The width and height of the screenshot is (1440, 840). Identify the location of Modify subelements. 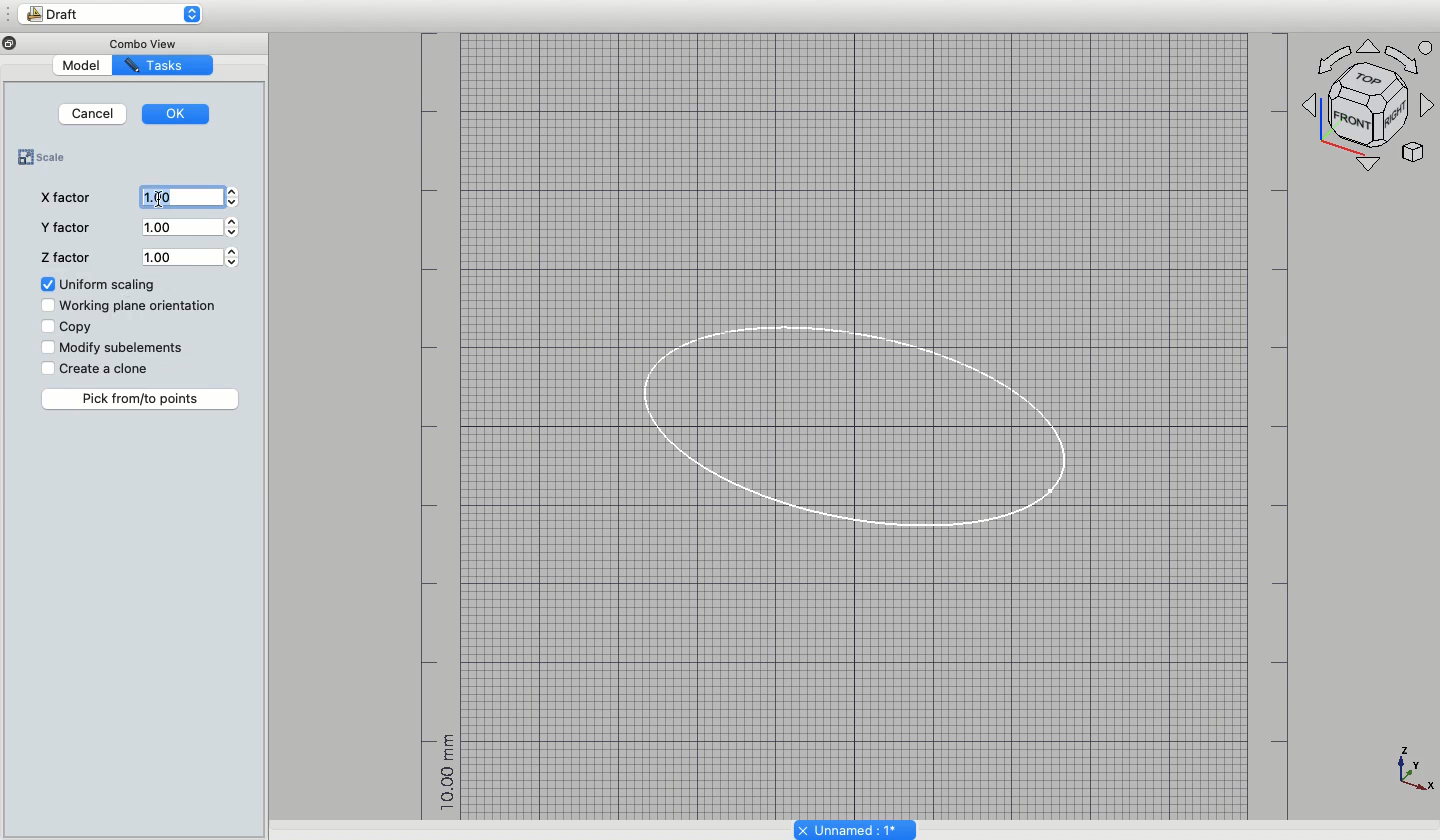
(116, 347).